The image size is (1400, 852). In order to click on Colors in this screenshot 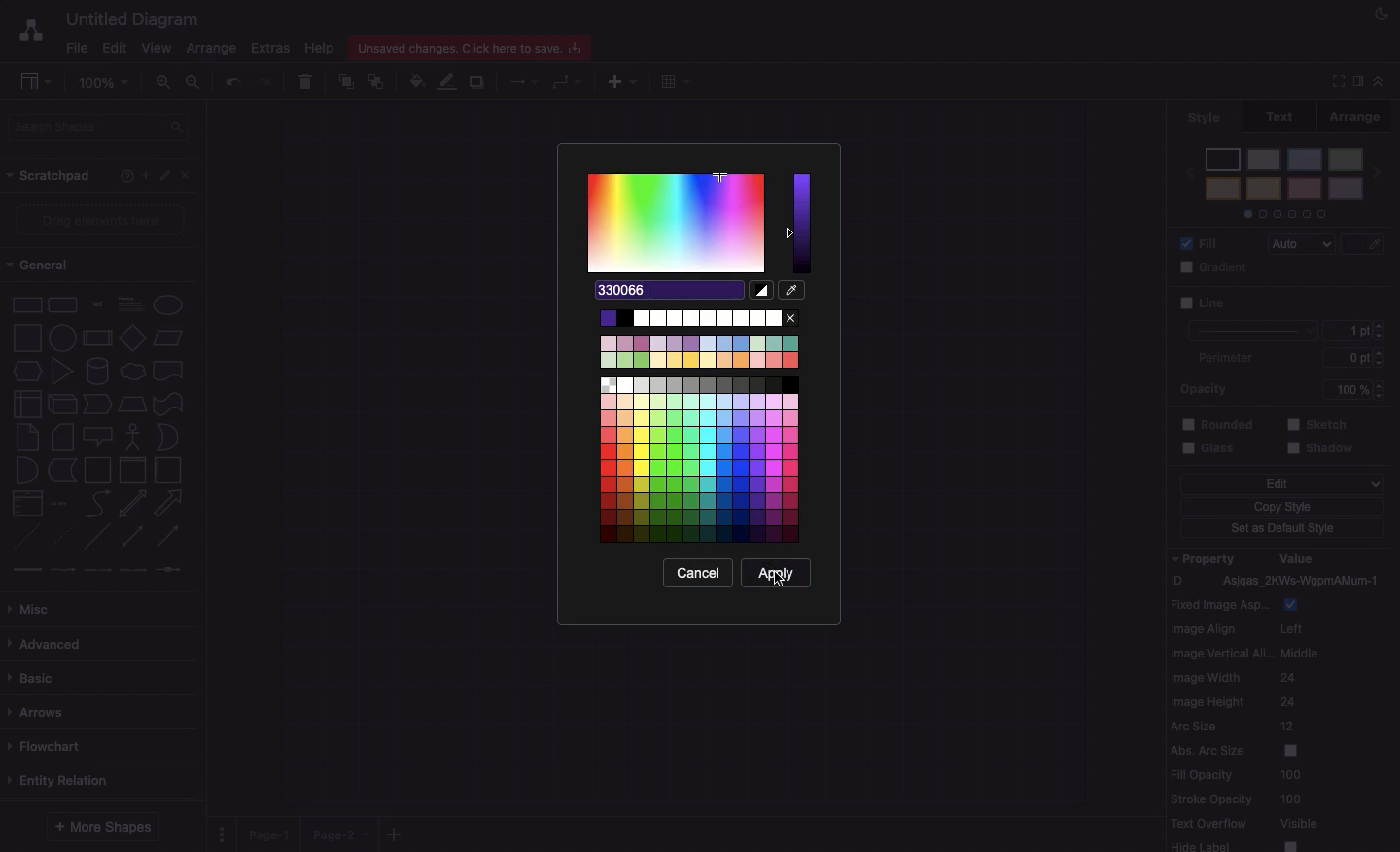, I will do `click(701, 425)`.